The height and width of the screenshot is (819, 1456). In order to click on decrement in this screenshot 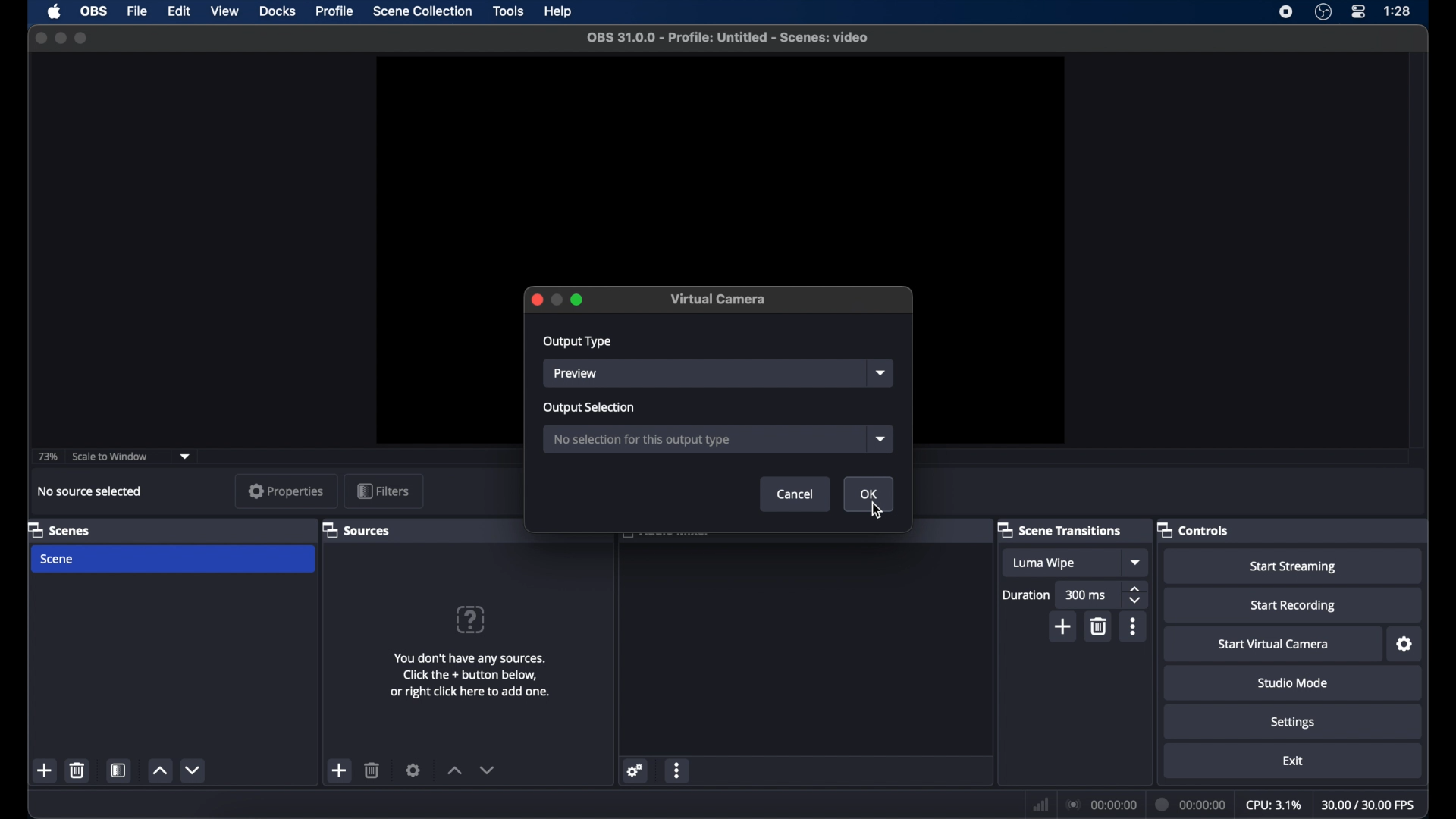, I will do `click(194, 770)`.